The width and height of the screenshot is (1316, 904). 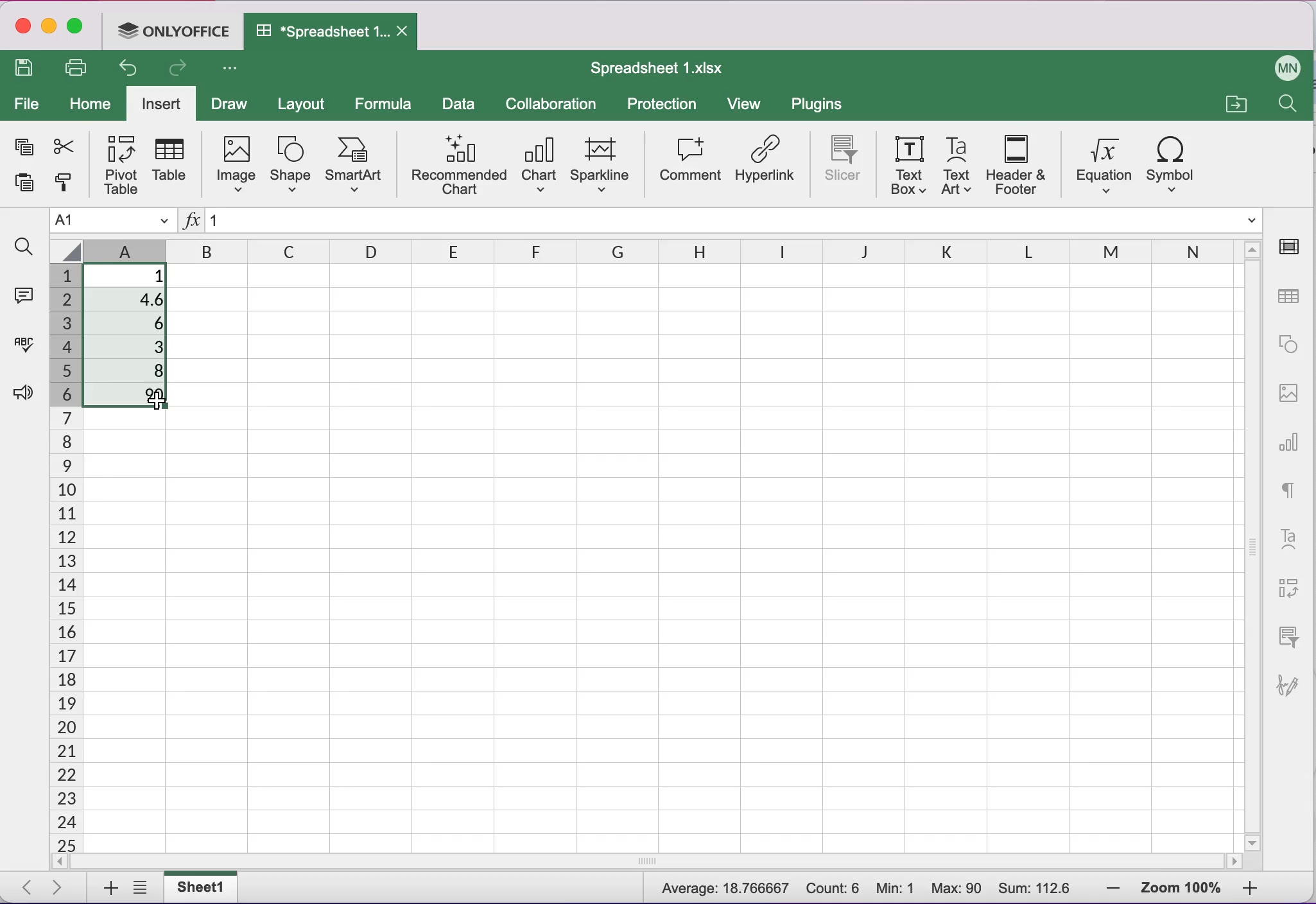 I want to click on cut, so click(x=62, y=146).